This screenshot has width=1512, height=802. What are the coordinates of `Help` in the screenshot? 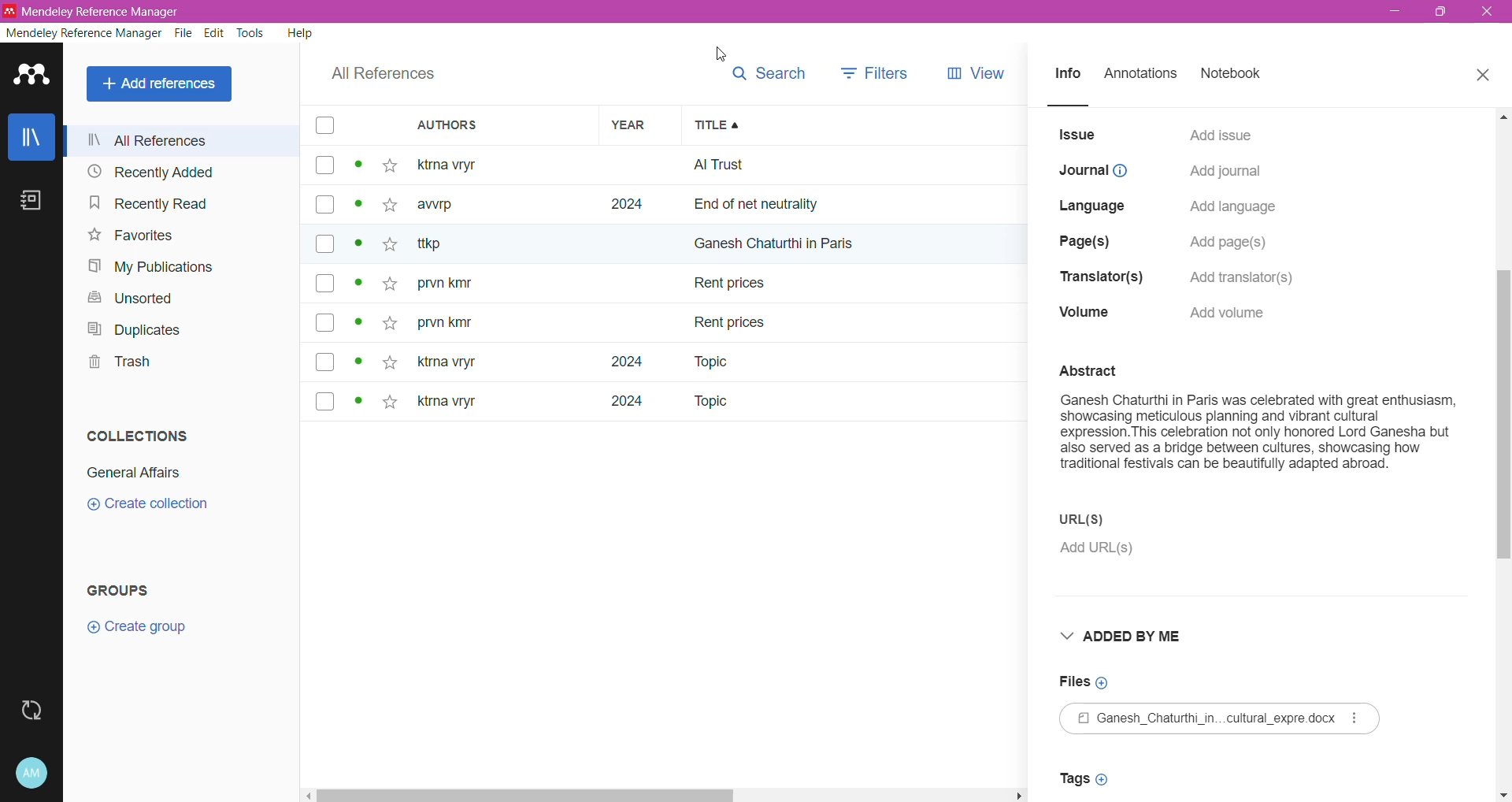 It's located at (298, 35).